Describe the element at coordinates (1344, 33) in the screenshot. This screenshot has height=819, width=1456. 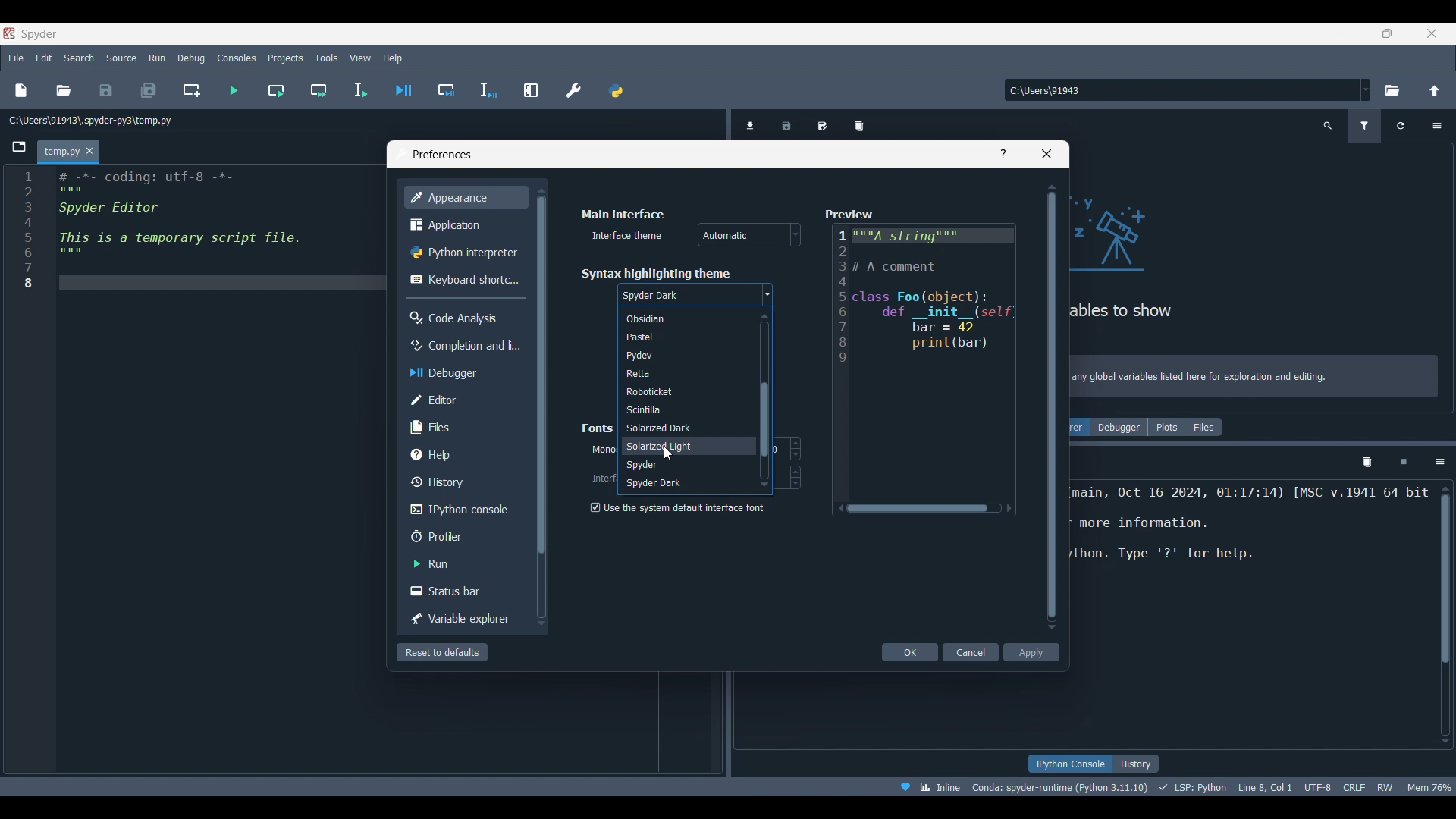
I see `Minimize` at that location.